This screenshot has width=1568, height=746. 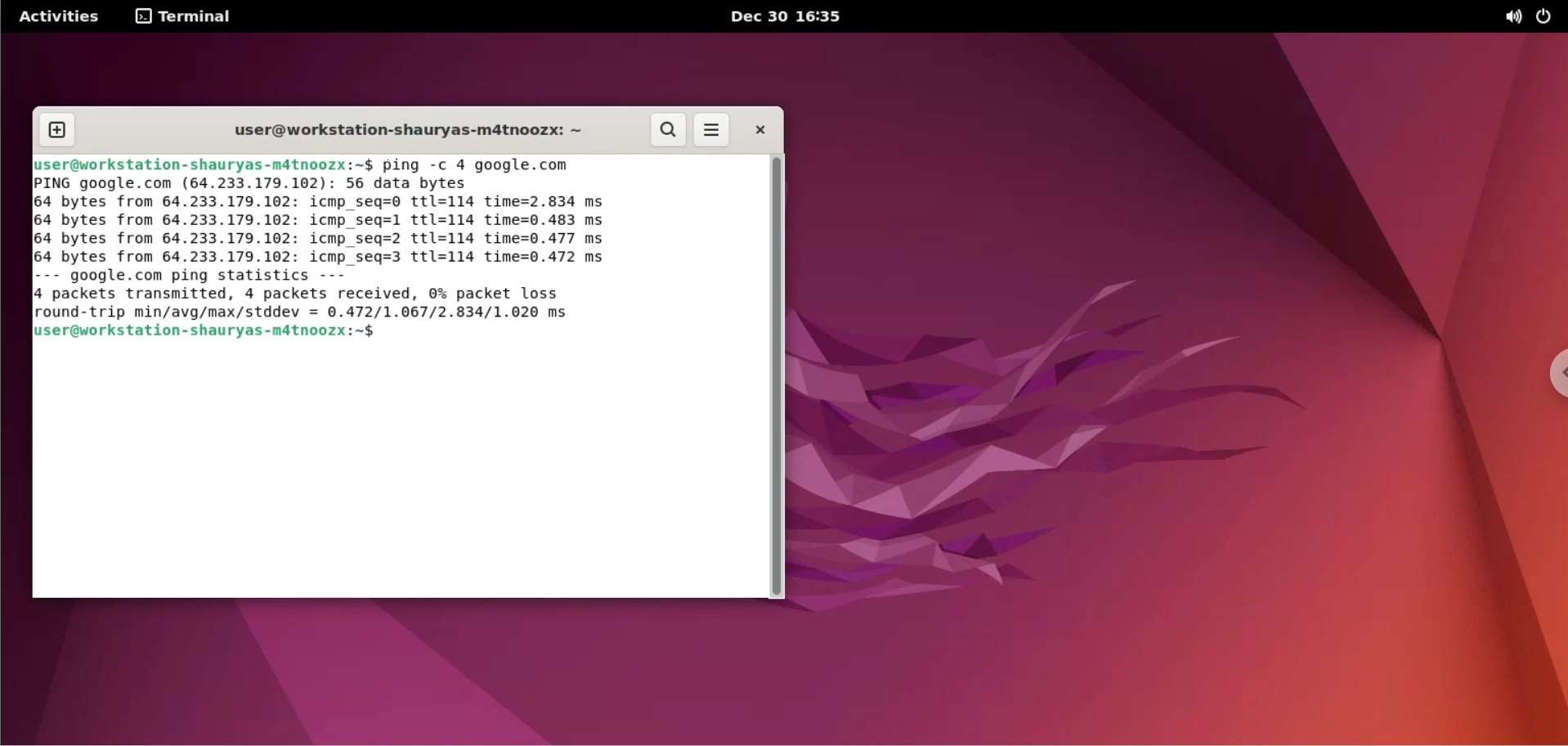 What do you see at coordinates (204, 165) in the screenshot?
I see `user@workstation-shauryas-m4tnoozx:~$` at bounding box center [204, 165].